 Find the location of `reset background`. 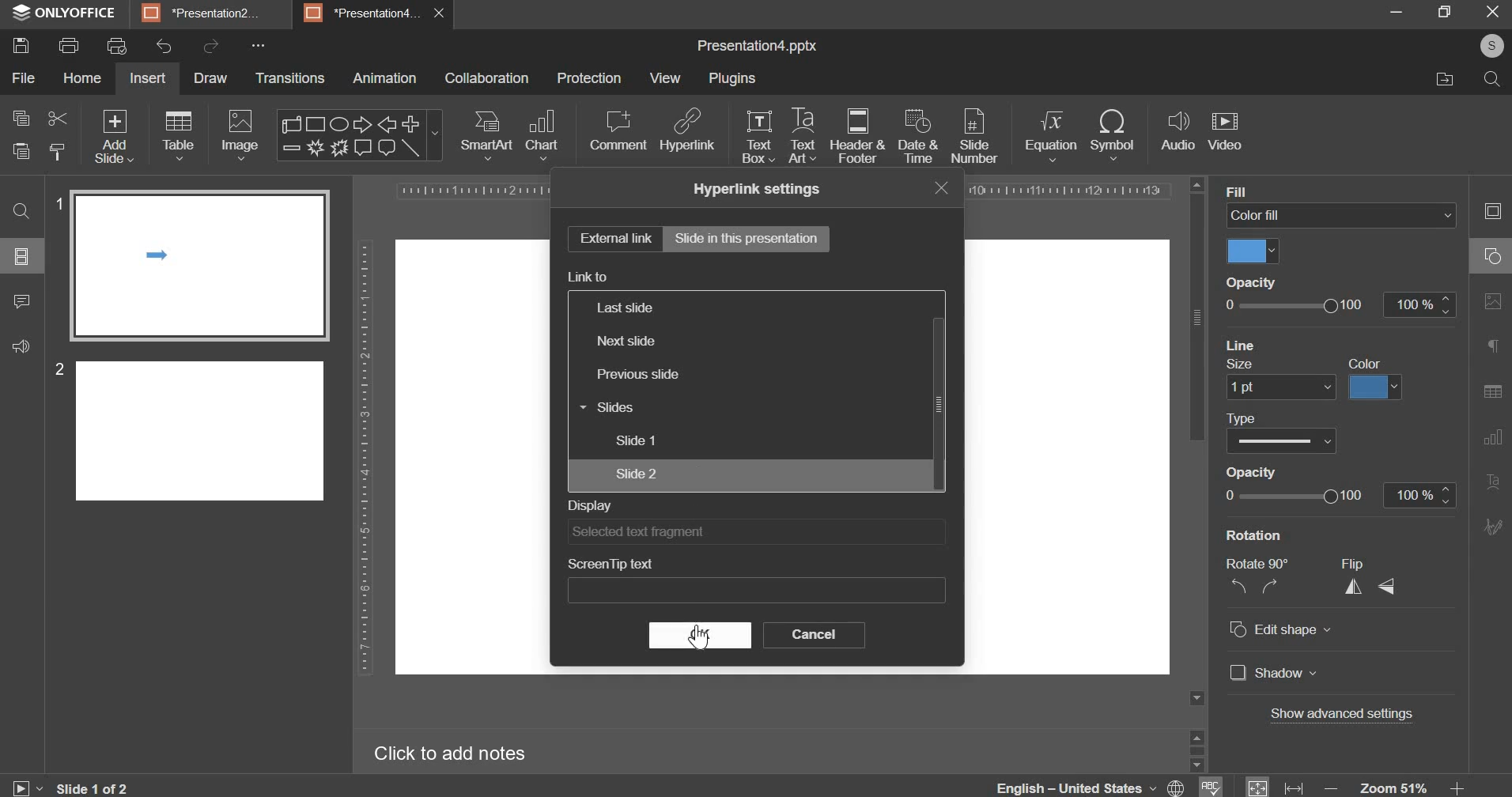

reset background is located at coordinates (1259, 365).